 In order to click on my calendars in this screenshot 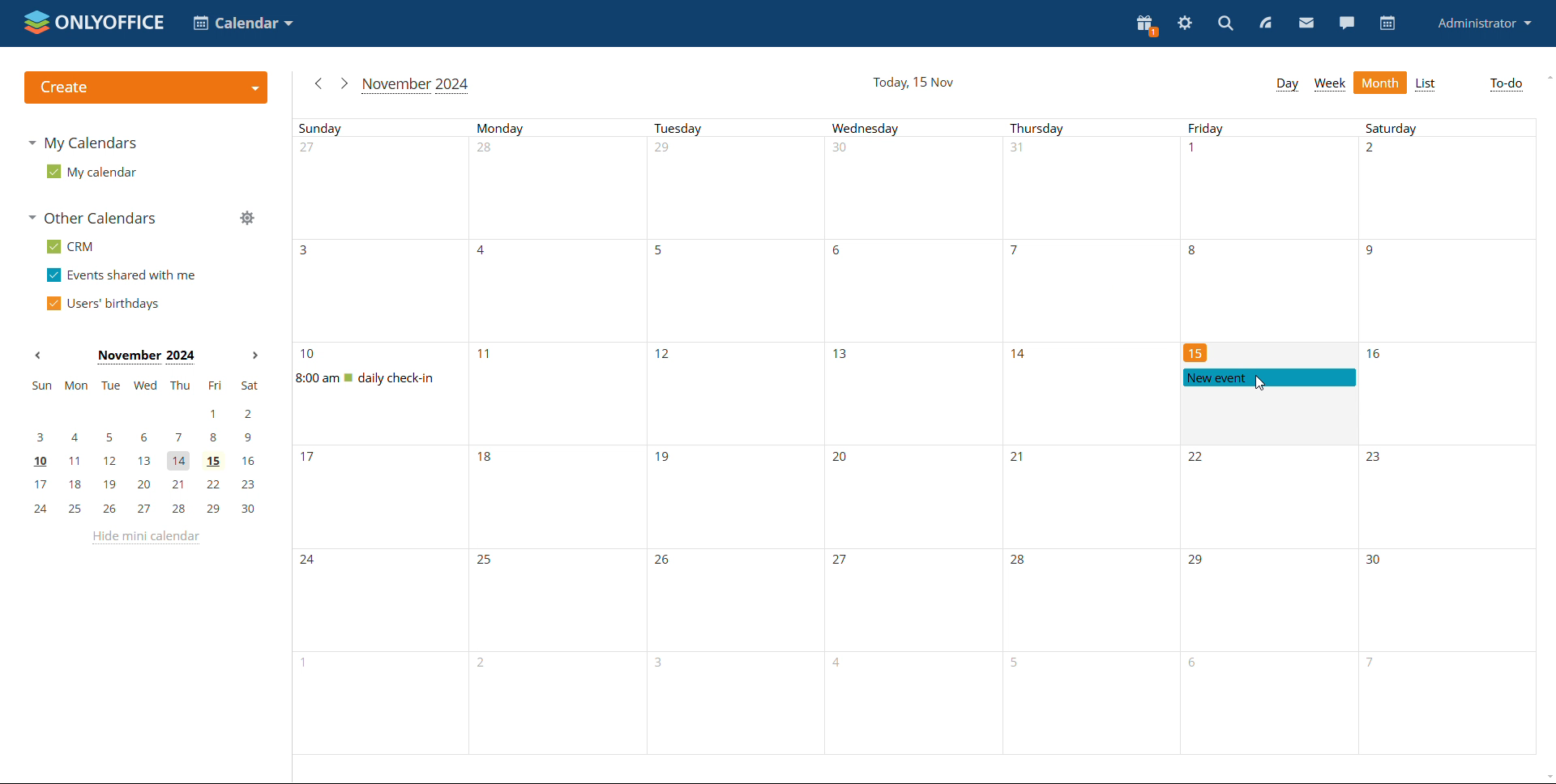, I will do `click(81, 143)`.